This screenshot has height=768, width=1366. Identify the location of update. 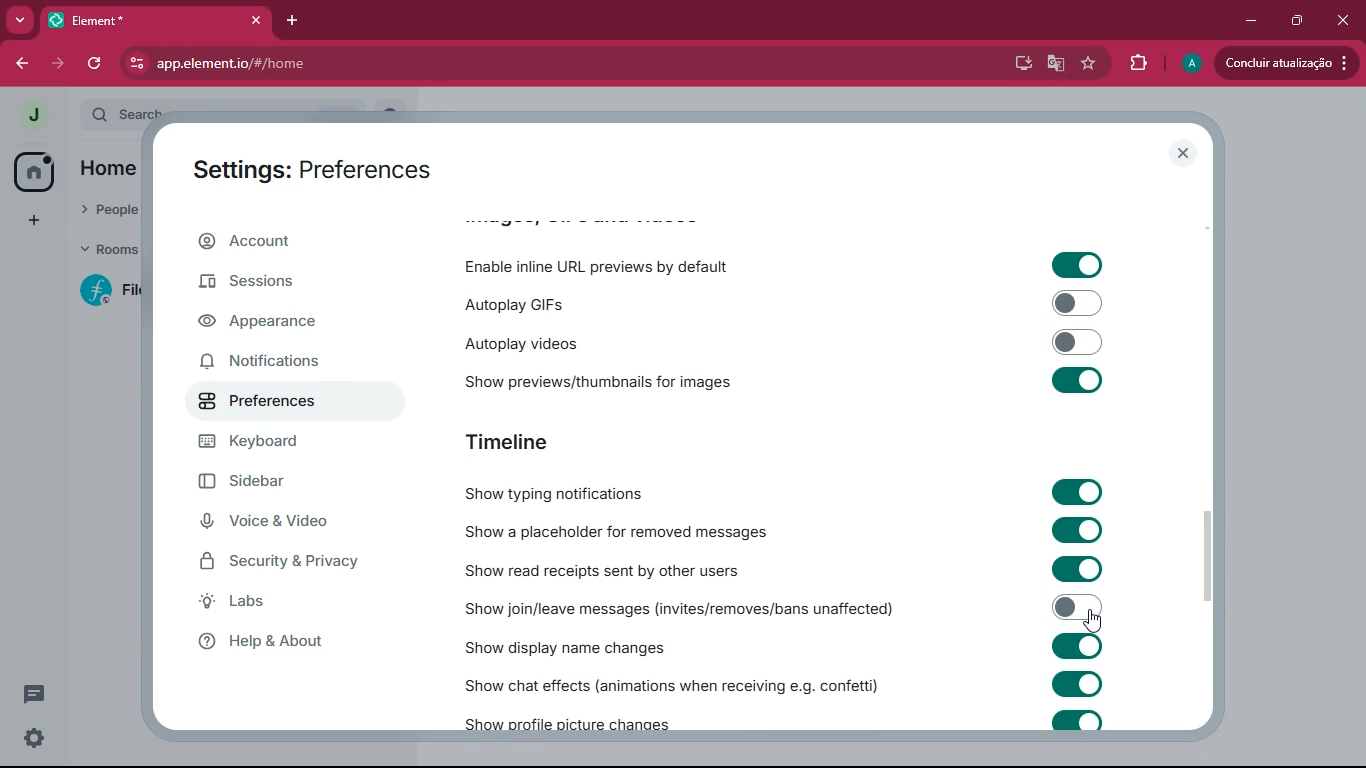
(1287, 63).